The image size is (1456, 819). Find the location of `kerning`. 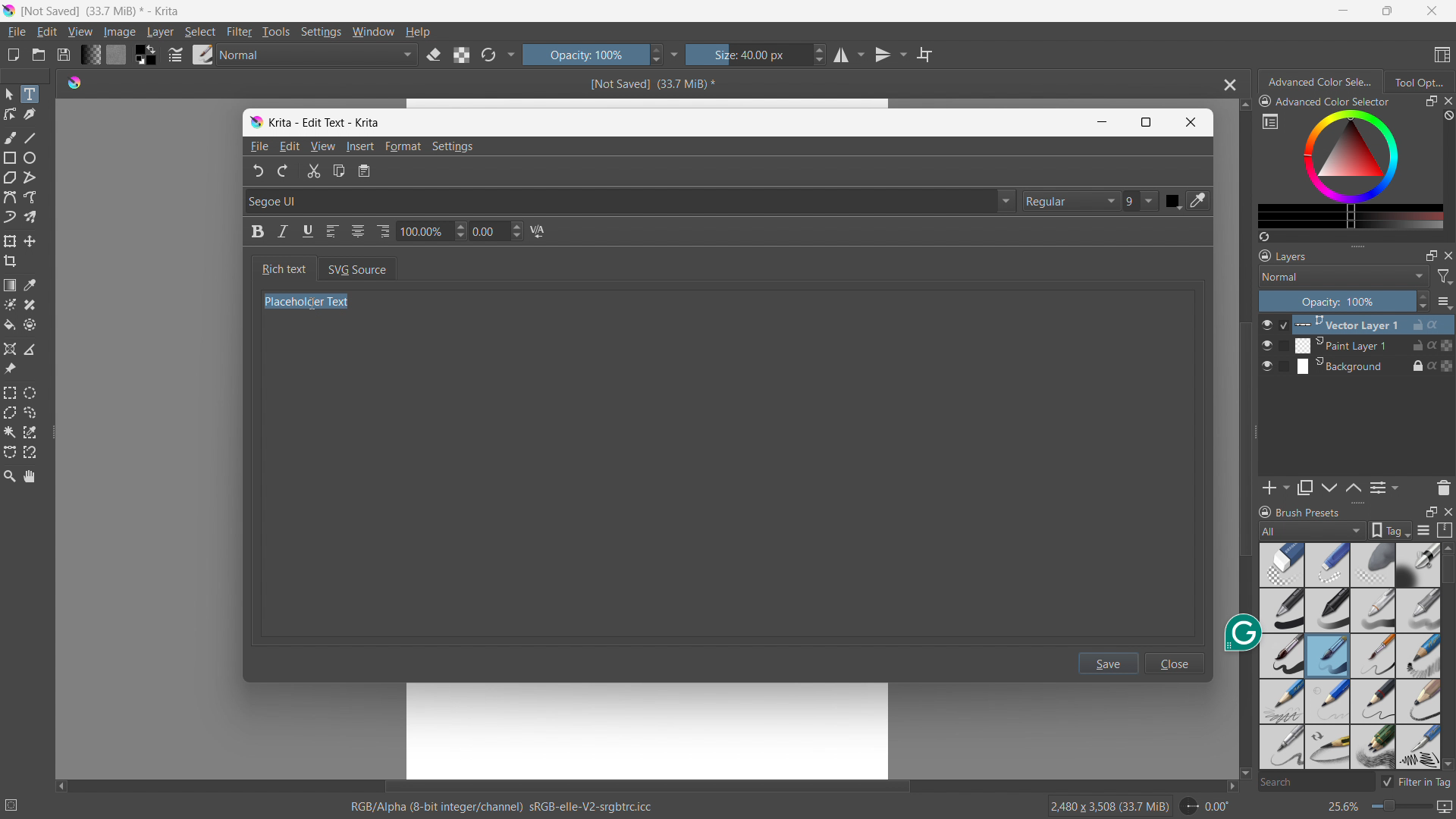

kerning is located at coordinates (538, 231).